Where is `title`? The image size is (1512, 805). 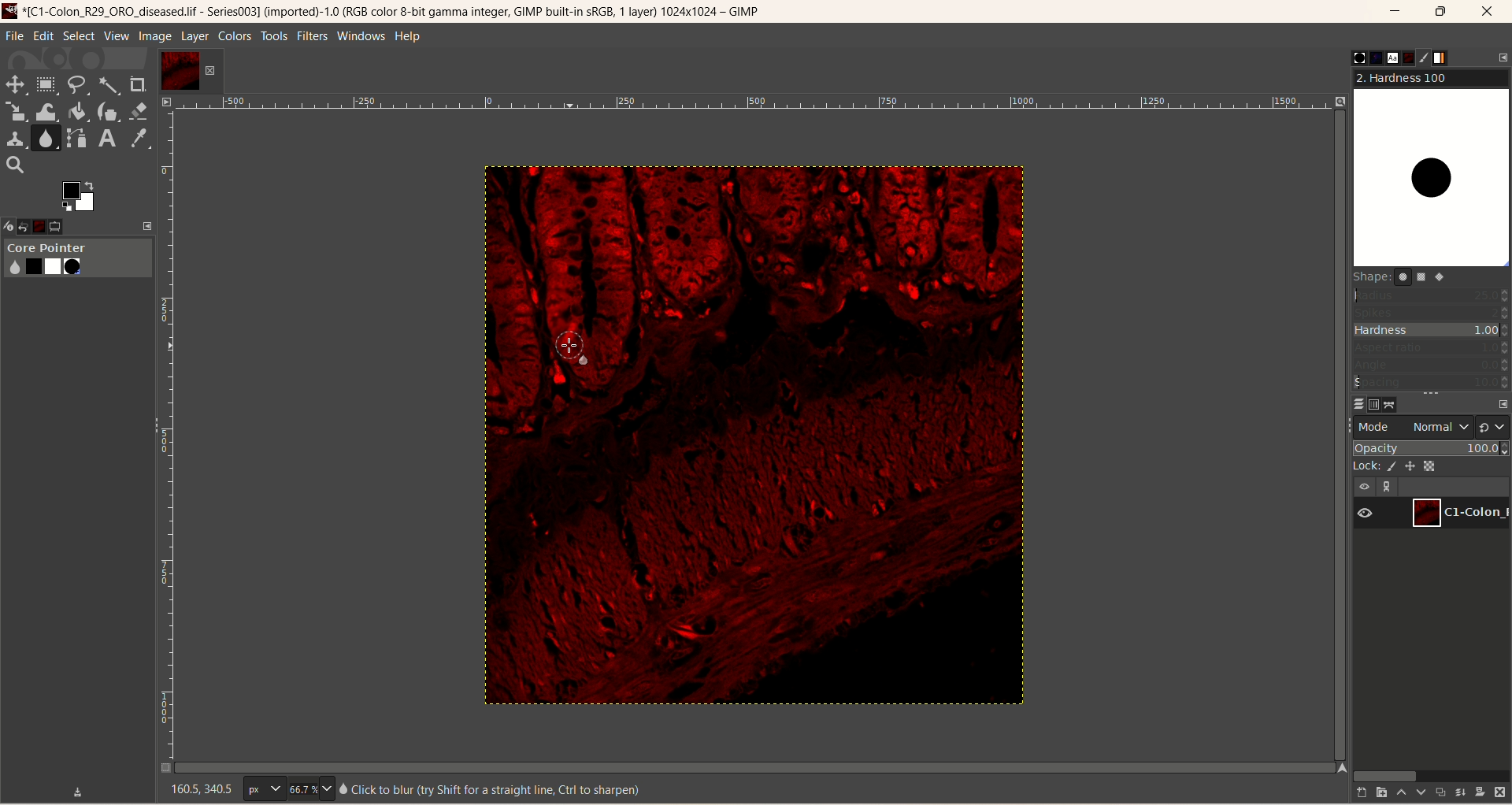 title is located at coordinates (400, 13).